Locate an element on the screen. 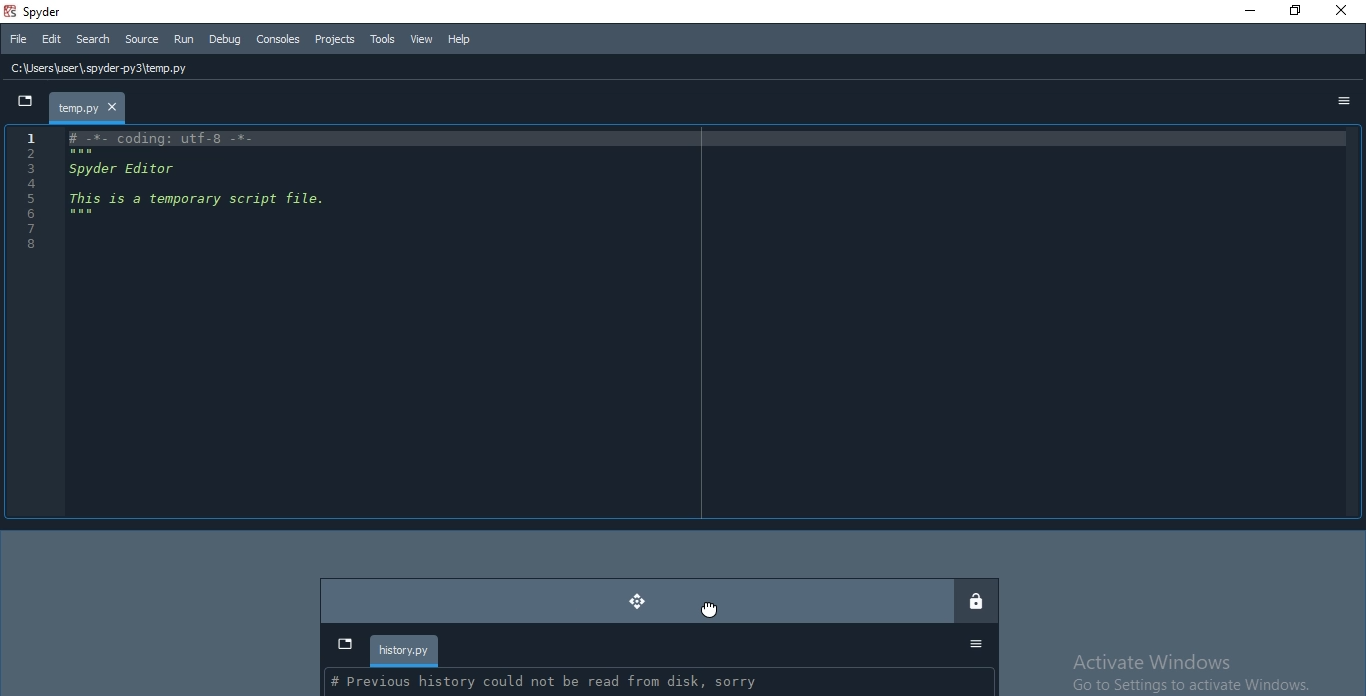  Edit is located at coordinates (50, 41).